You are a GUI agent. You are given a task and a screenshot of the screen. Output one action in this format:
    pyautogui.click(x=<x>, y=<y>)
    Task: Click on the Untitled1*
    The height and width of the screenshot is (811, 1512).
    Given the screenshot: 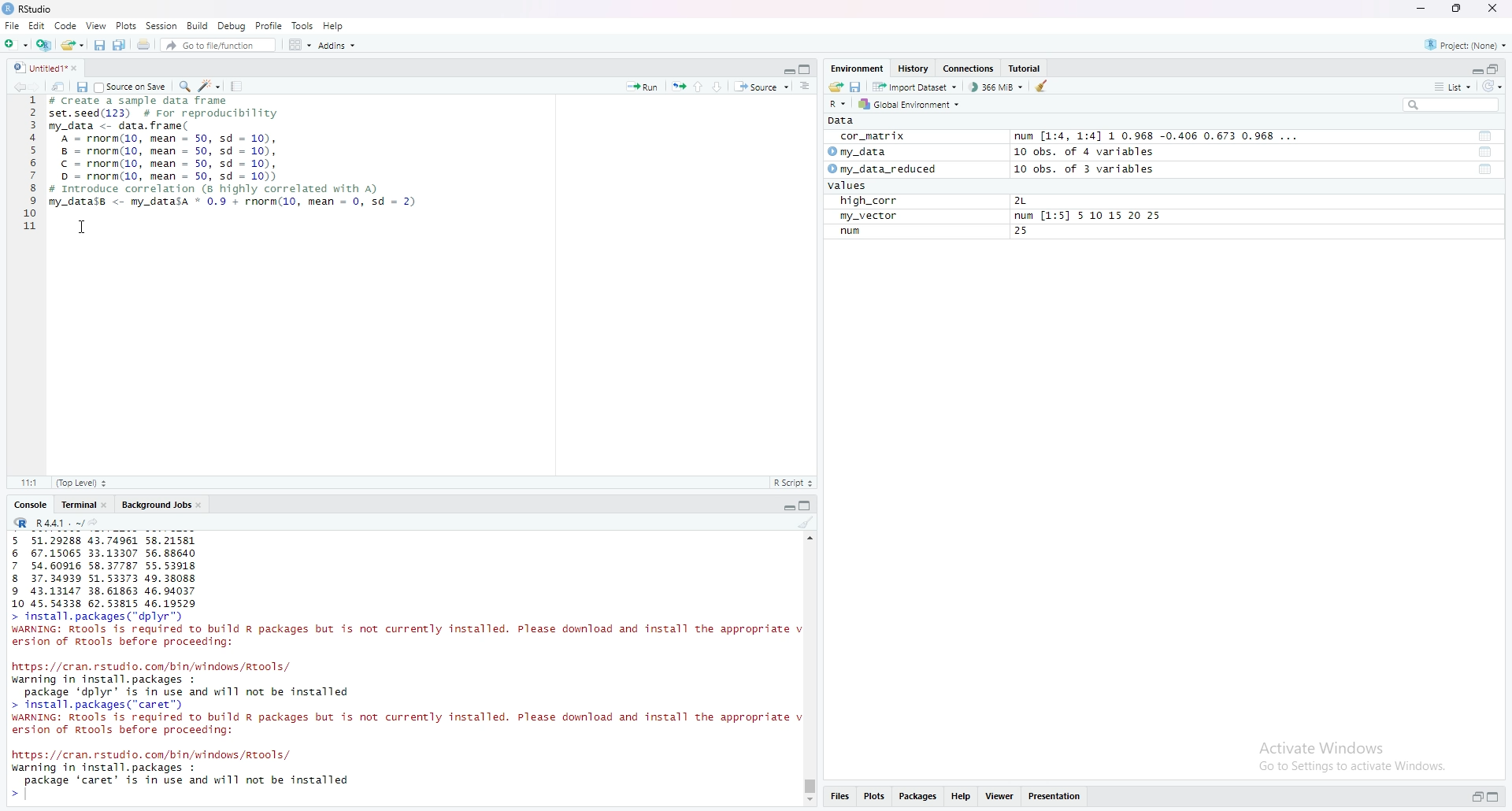 What is the action you would take?
    pyautogui.click(x=39, y=68)
    